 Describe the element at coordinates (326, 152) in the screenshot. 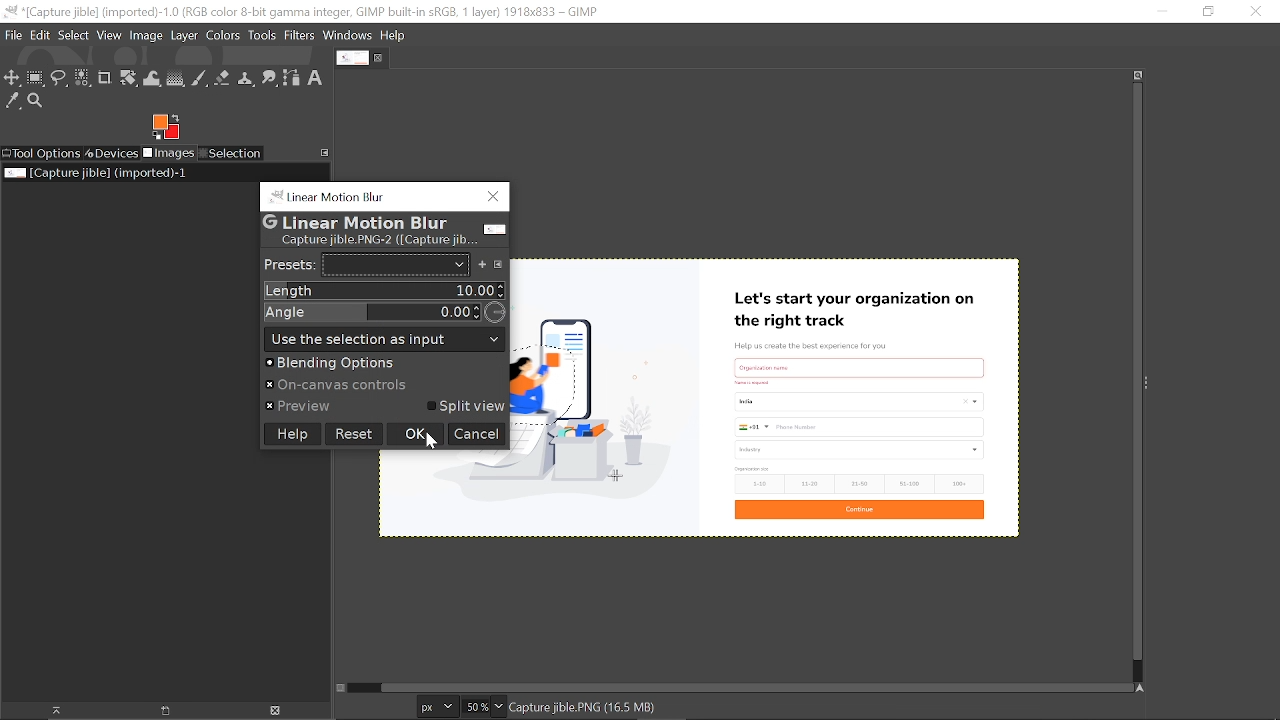

I see `Access this tab` at that location.